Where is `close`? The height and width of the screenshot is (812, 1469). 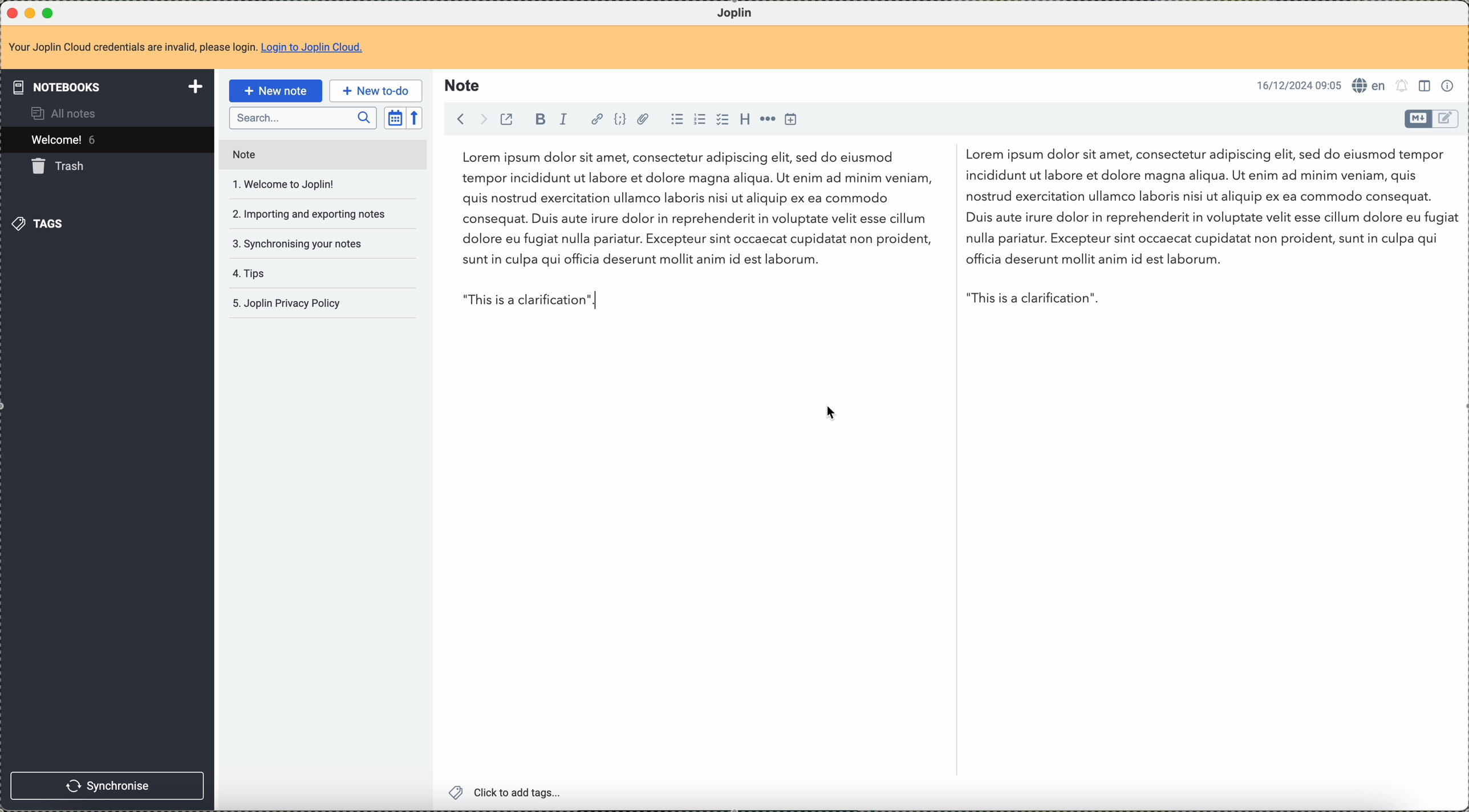
close is located at coordinates (10, 11).